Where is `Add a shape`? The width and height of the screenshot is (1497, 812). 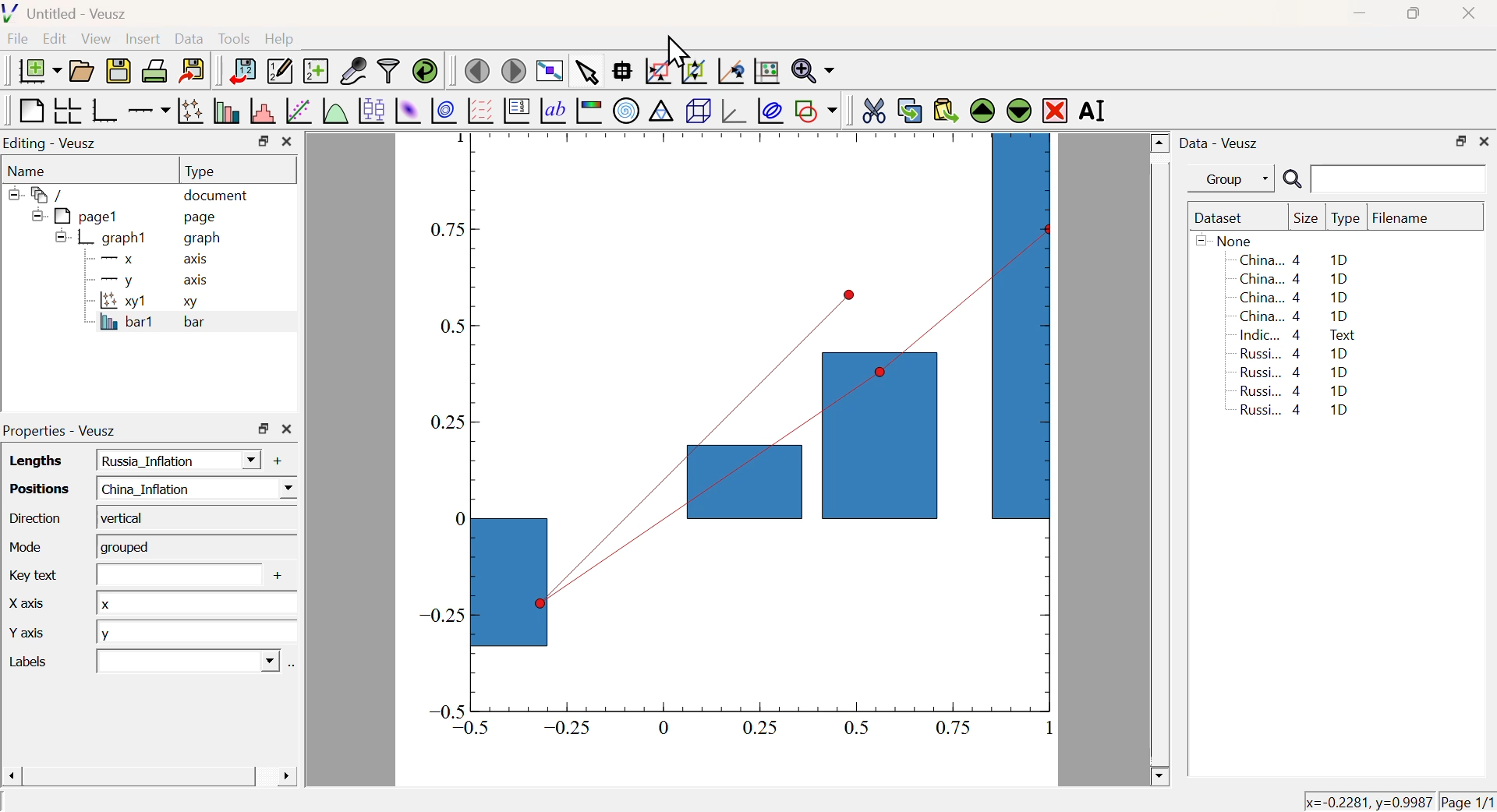
Add a shape is located at coordinates (816, 110).